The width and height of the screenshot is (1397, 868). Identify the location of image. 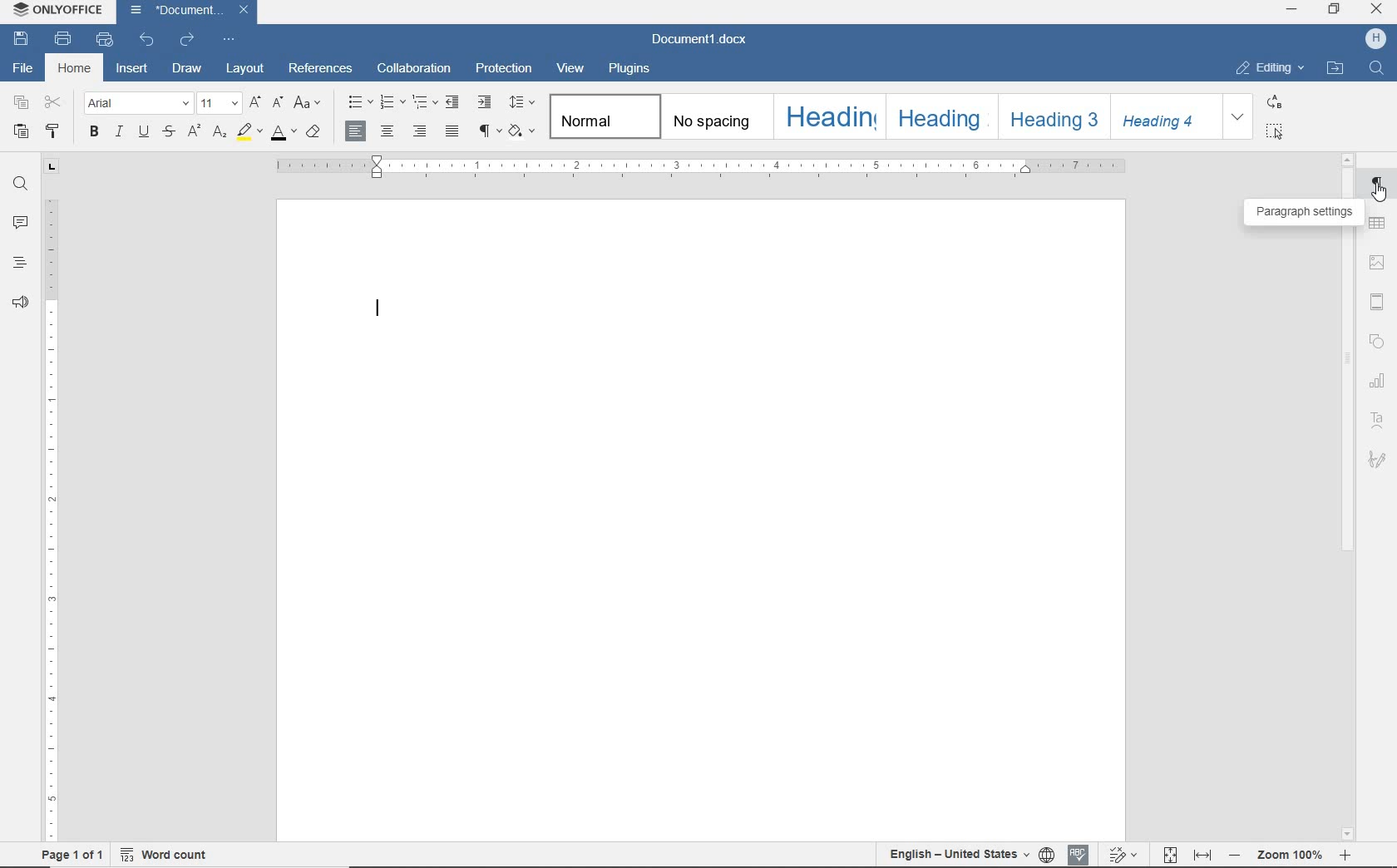
(1375, 263).